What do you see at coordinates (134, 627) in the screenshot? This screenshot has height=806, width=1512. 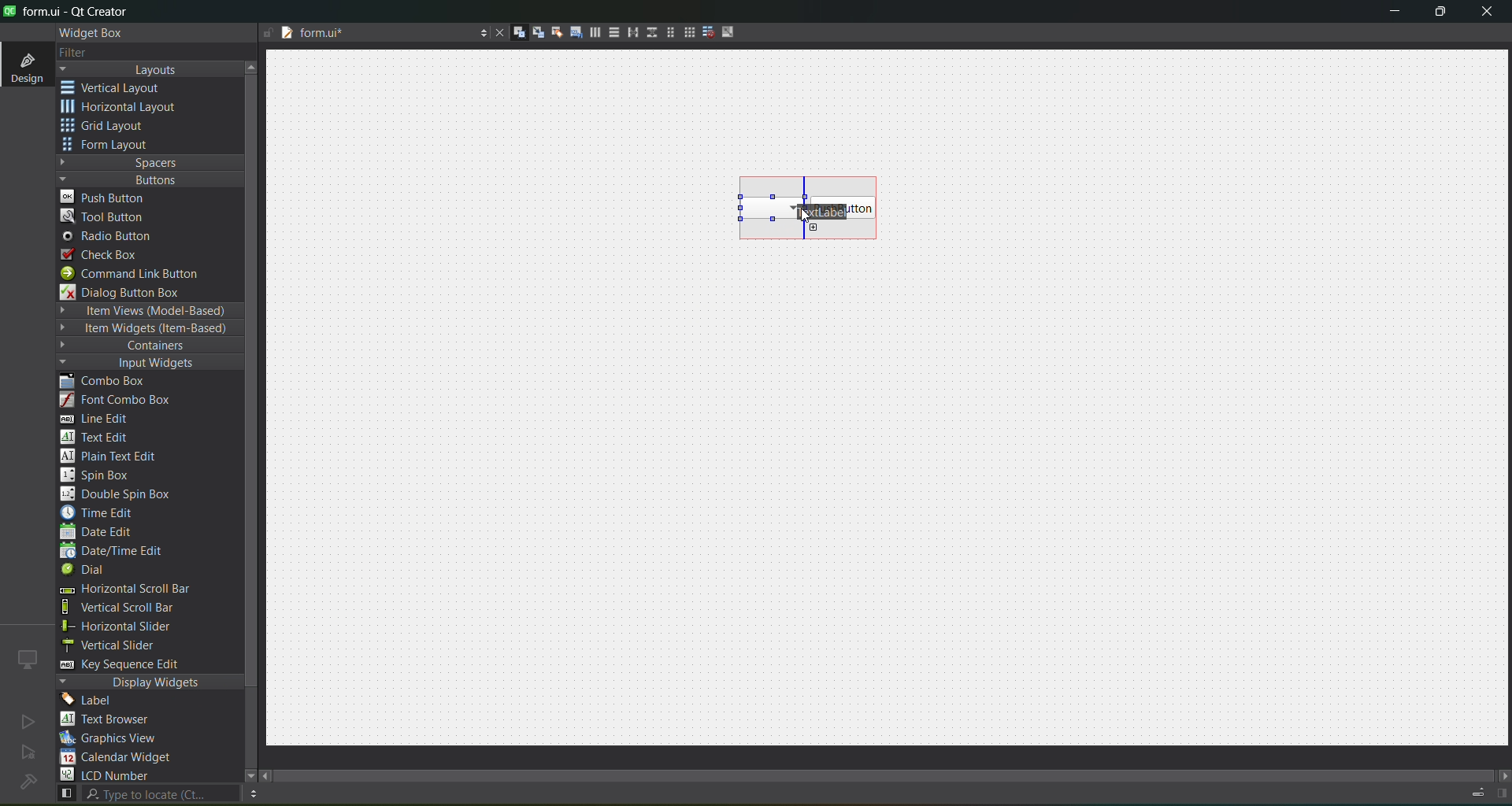 I see `horizontal slider` at bounding box center [134, 627].